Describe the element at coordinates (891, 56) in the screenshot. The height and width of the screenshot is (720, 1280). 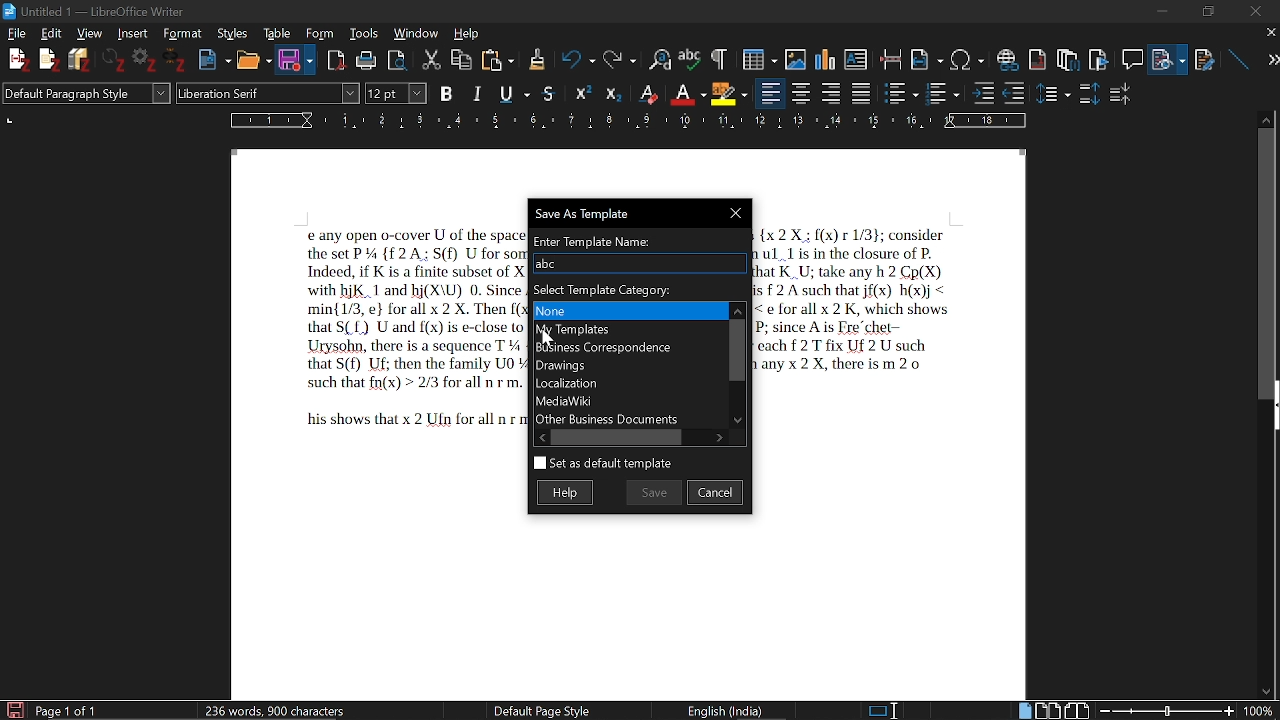
I see `Insert page break` at that location.